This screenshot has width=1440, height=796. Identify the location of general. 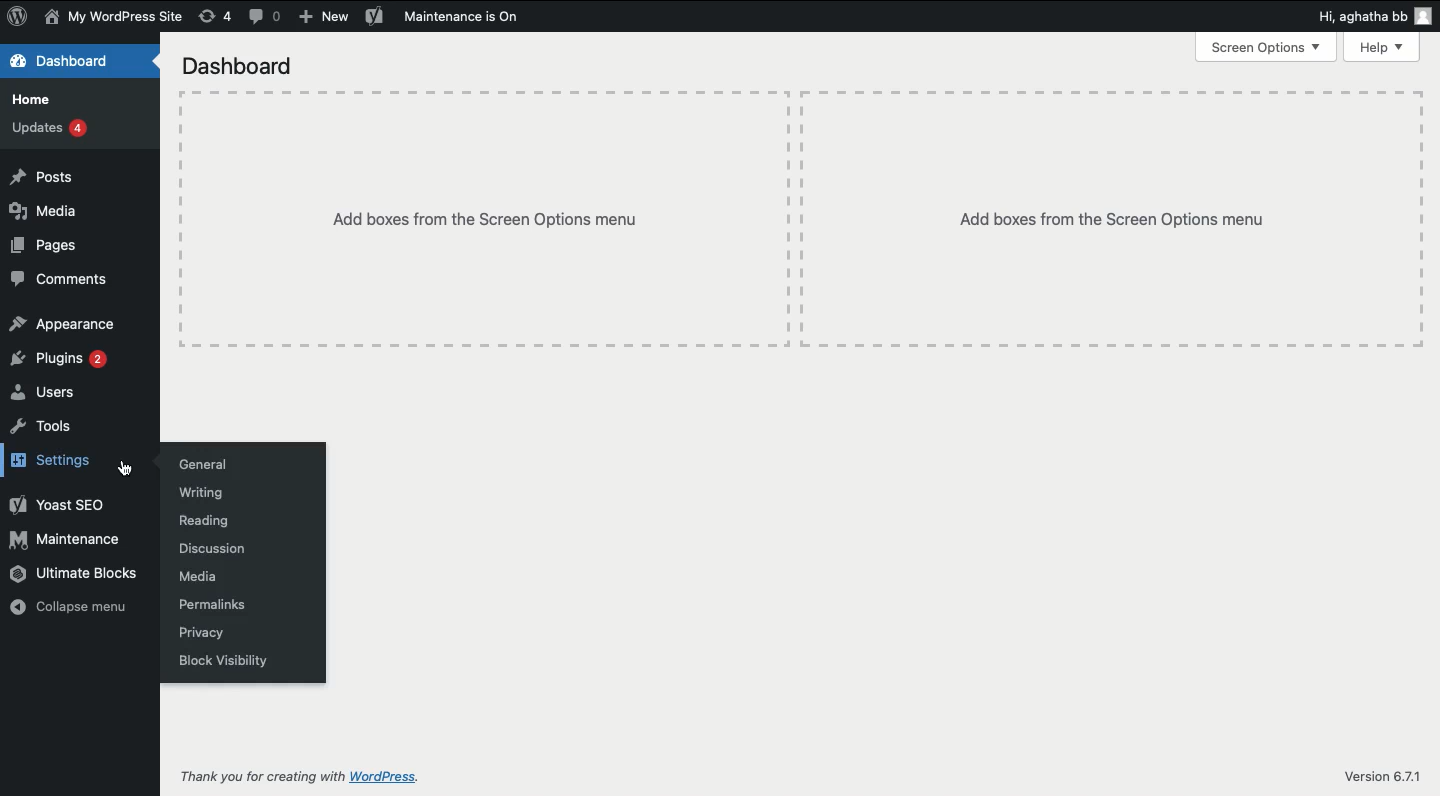
(200, 465).